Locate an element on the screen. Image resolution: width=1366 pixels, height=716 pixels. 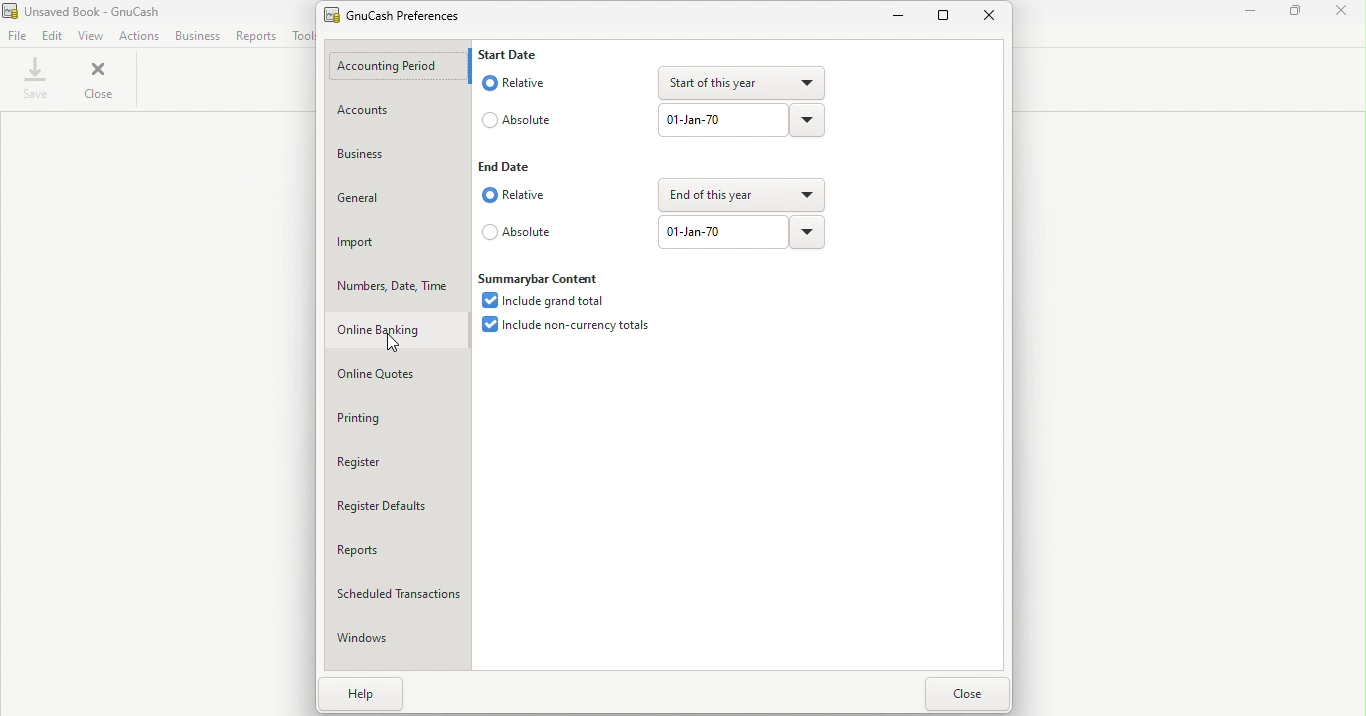
Drop down menu is located at coordinates (808, 234).